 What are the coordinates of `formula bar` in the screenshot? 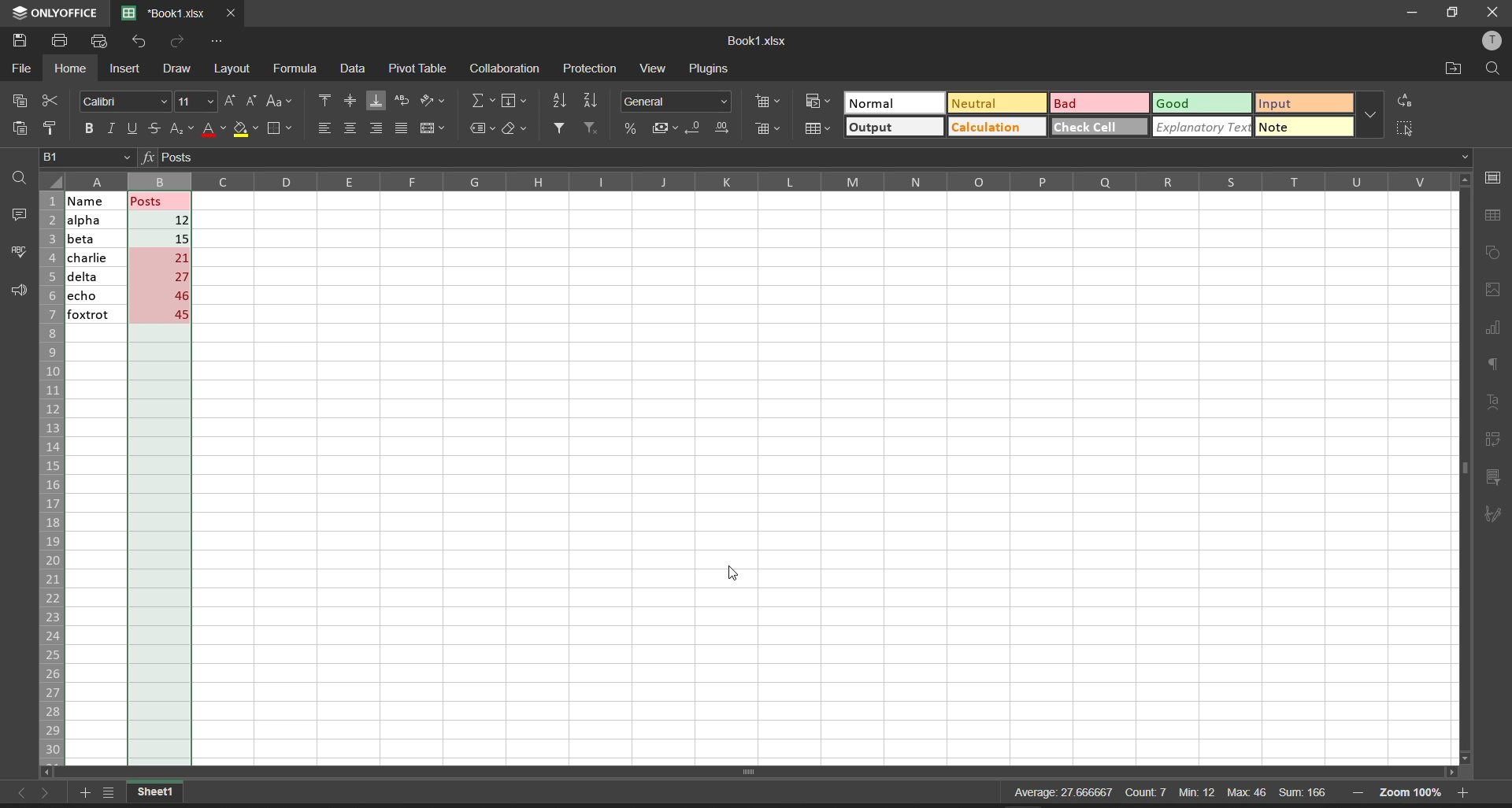 It's located at (818, 159).